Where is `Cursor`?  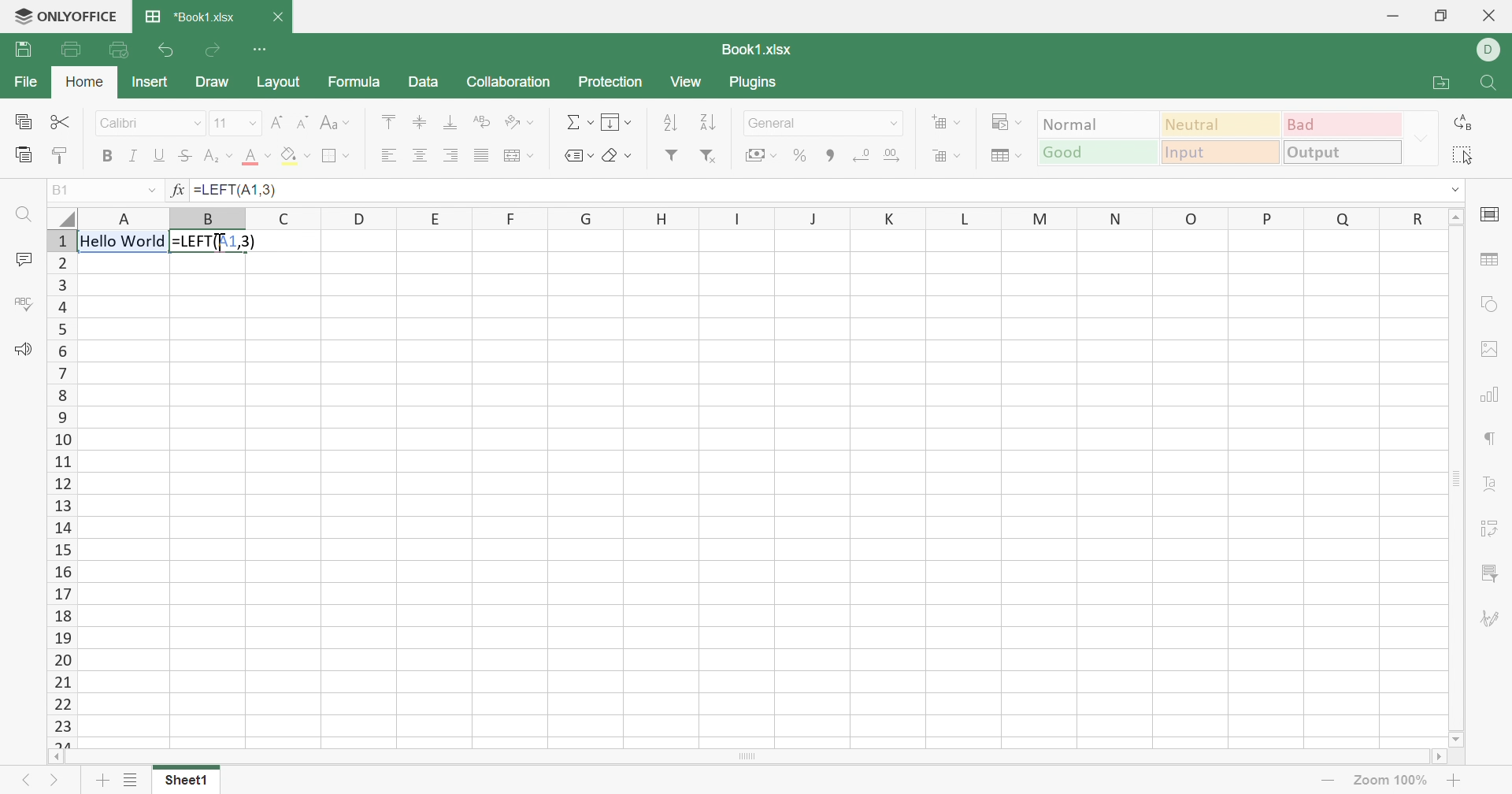
Cursor is located at coordinates (221, 244).